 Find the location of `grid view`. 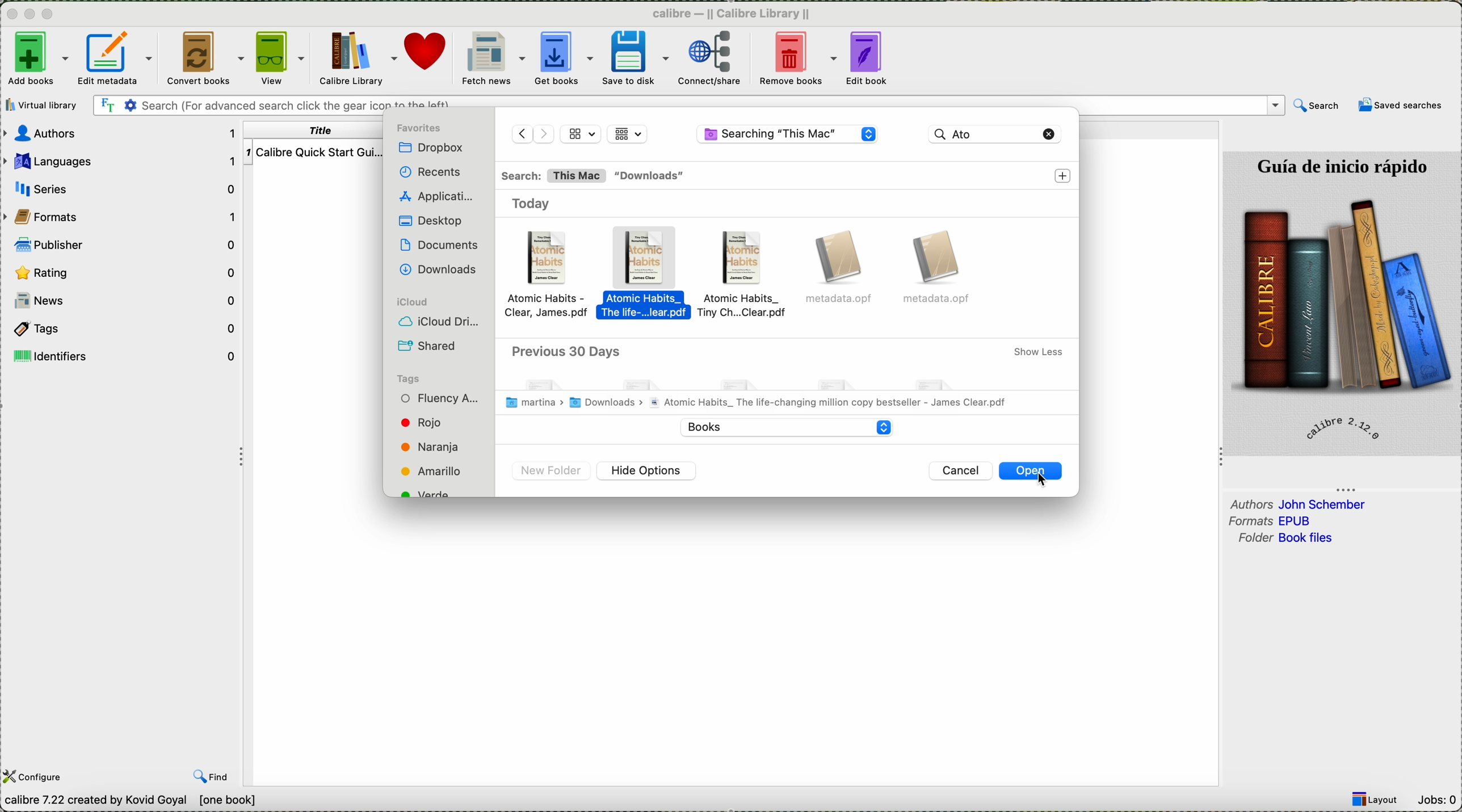

grid view is located at coordinates (581, 133).